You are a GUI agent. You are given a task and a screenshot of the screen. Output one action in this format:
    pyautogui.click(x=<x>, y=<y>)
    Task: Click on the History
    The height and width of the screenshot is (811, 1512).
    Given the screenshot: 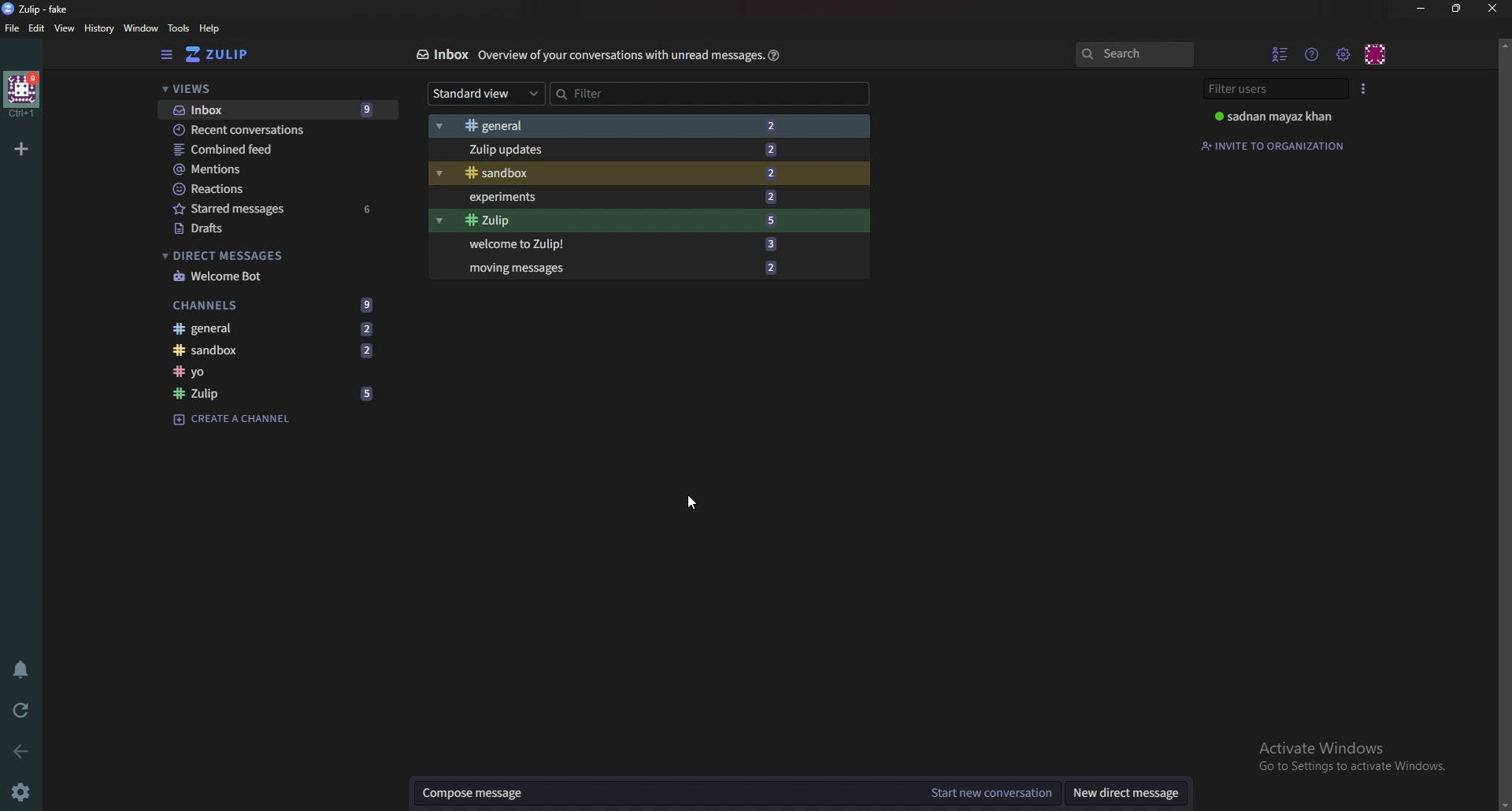 What is the action you would take?
    pyautogui.click(x=99, y=30)
    